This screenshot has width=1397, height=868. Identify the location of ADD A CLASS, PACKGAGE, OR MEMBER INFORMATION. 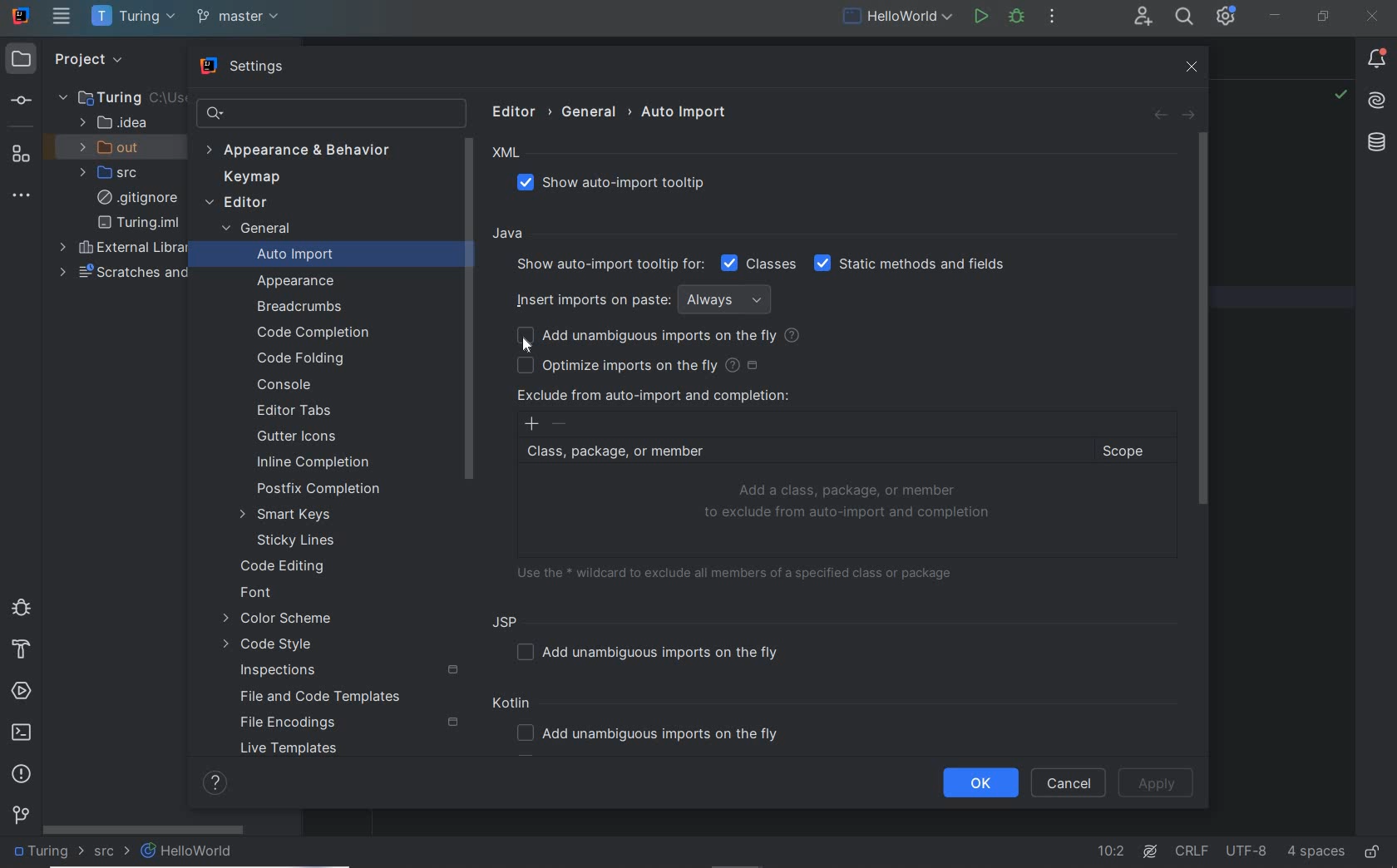
(850, 502).